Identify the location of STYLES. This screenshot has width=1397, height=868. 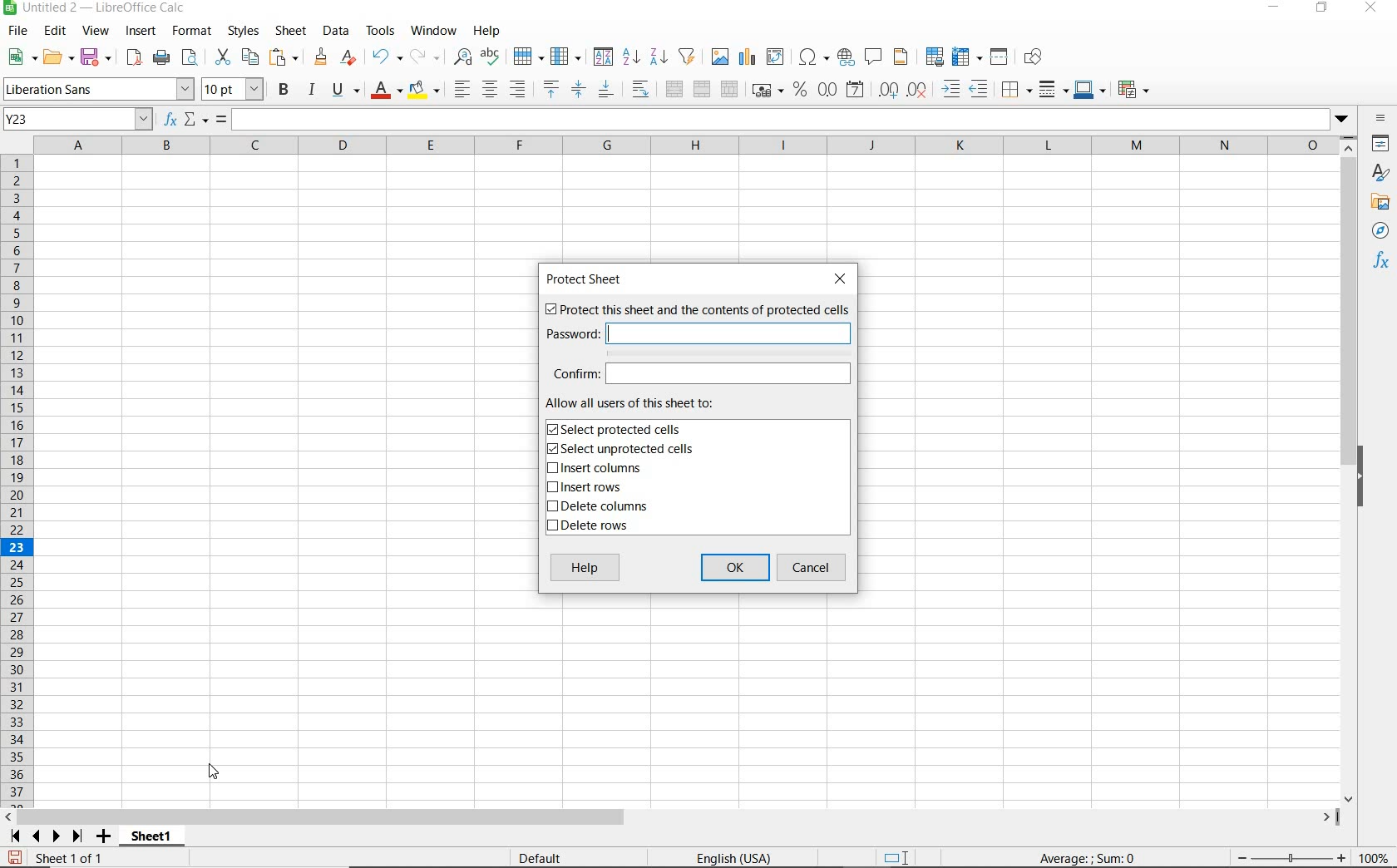
(1380, 173).